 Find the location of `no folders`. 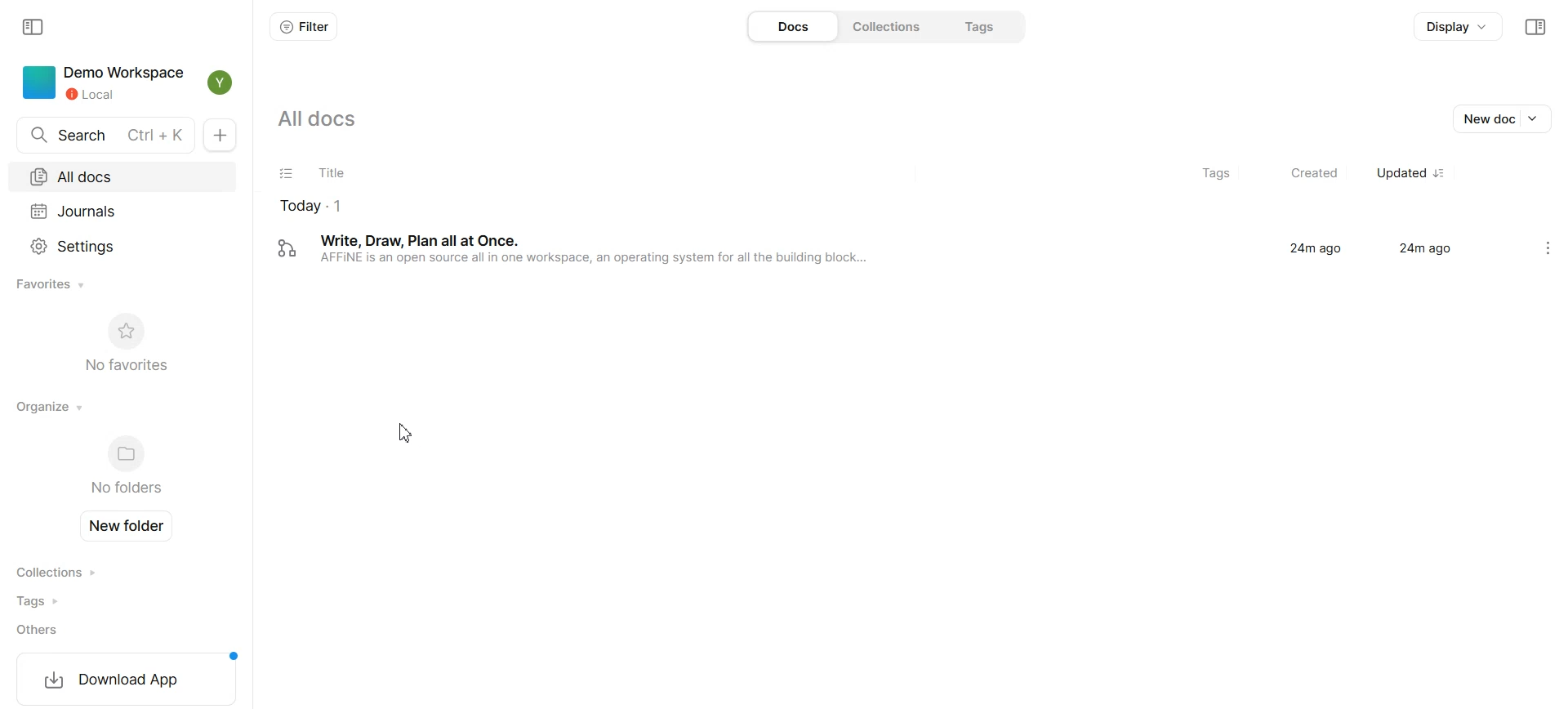

no folders is located at coordinates (122, 467).